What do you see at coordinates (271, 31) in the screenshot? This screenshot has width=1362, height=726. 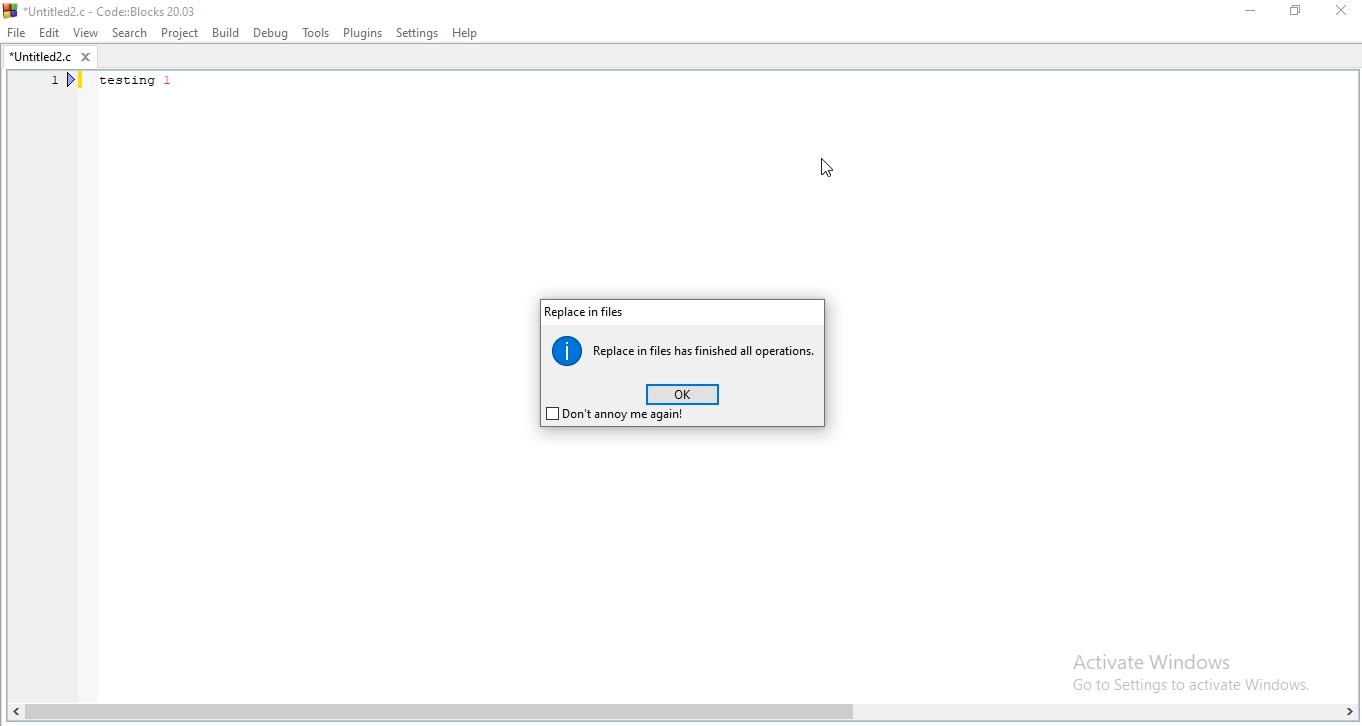 I see `Debug ` at bounding box center [271, 31].